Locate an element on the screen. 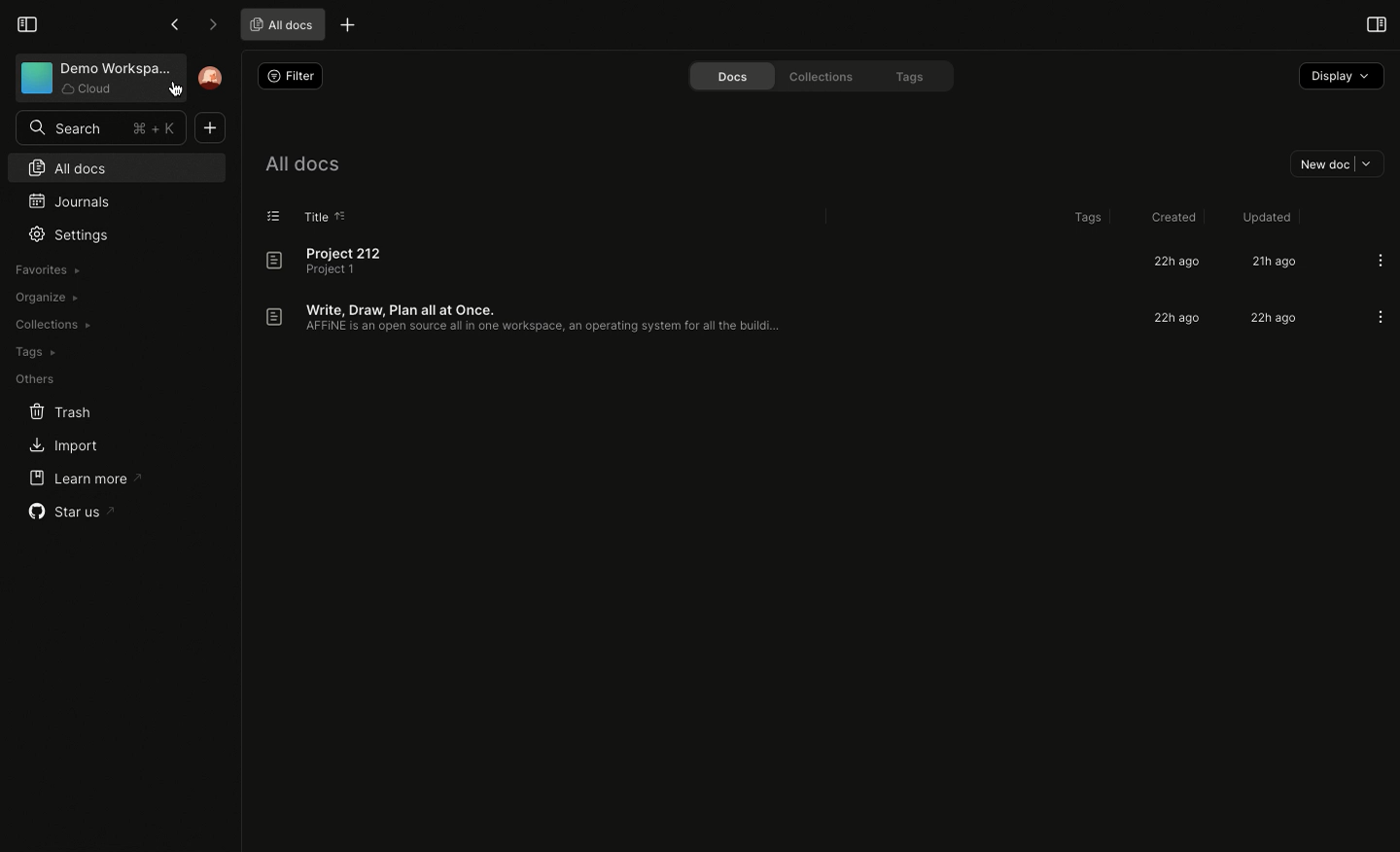  Collapse sidebar is located at coordinates (25, 22).